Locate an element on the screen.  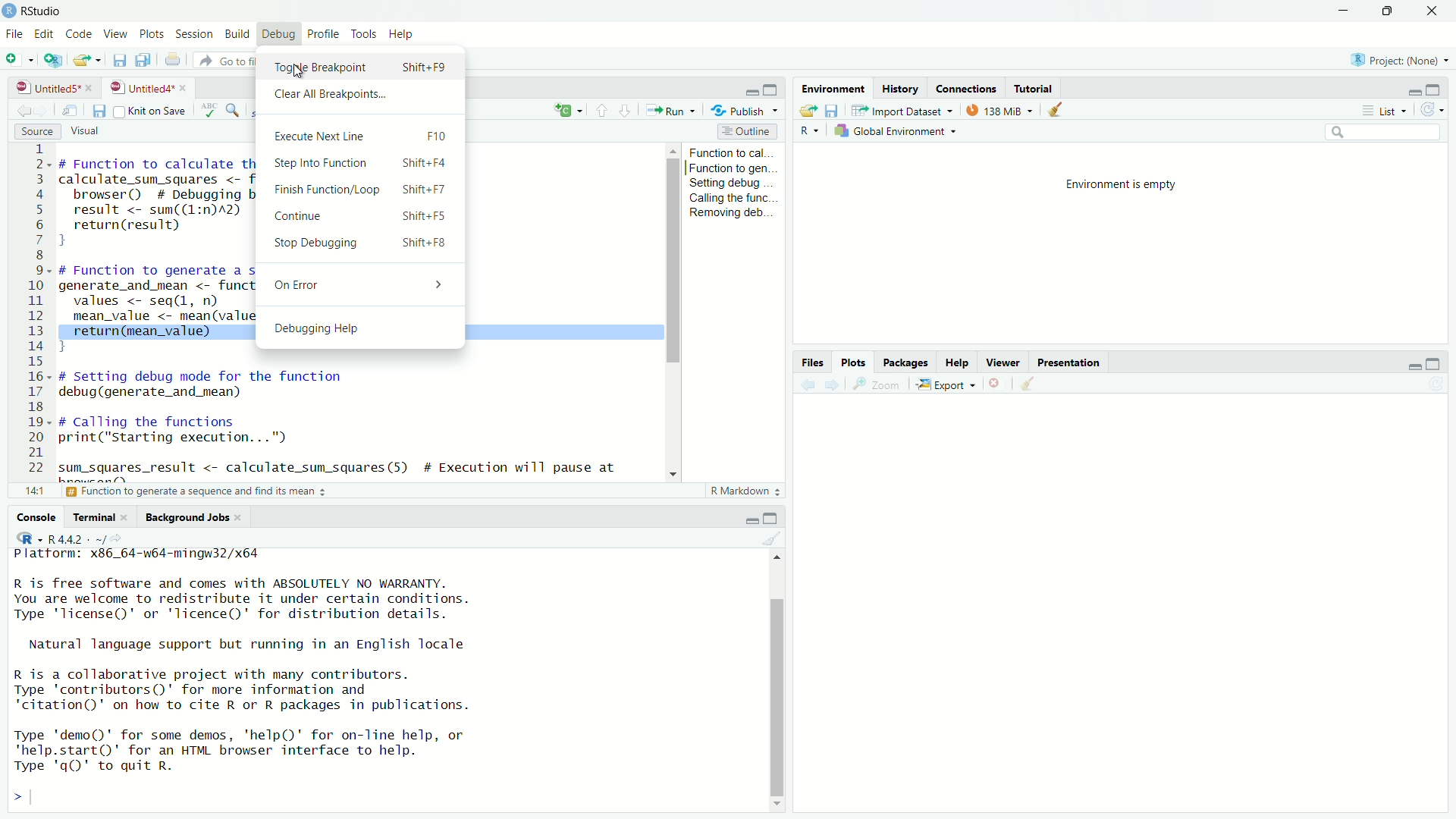
list is located at coordinates (1382, 111).